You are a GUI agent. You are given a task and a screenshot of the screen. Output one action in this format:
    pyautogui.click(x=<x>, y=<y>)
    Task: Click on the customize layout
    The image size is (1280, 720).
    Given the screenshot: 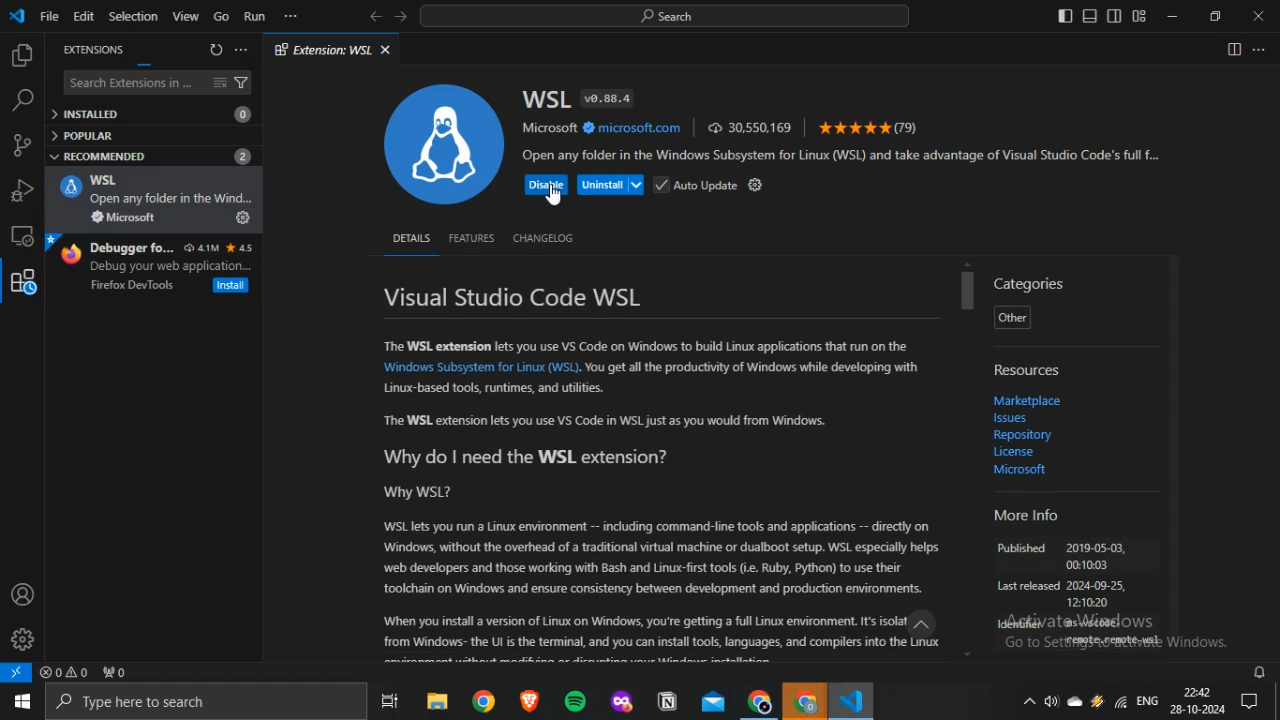 What is the action you would take?
    pyautogui.click(x=1139, y=16)
    